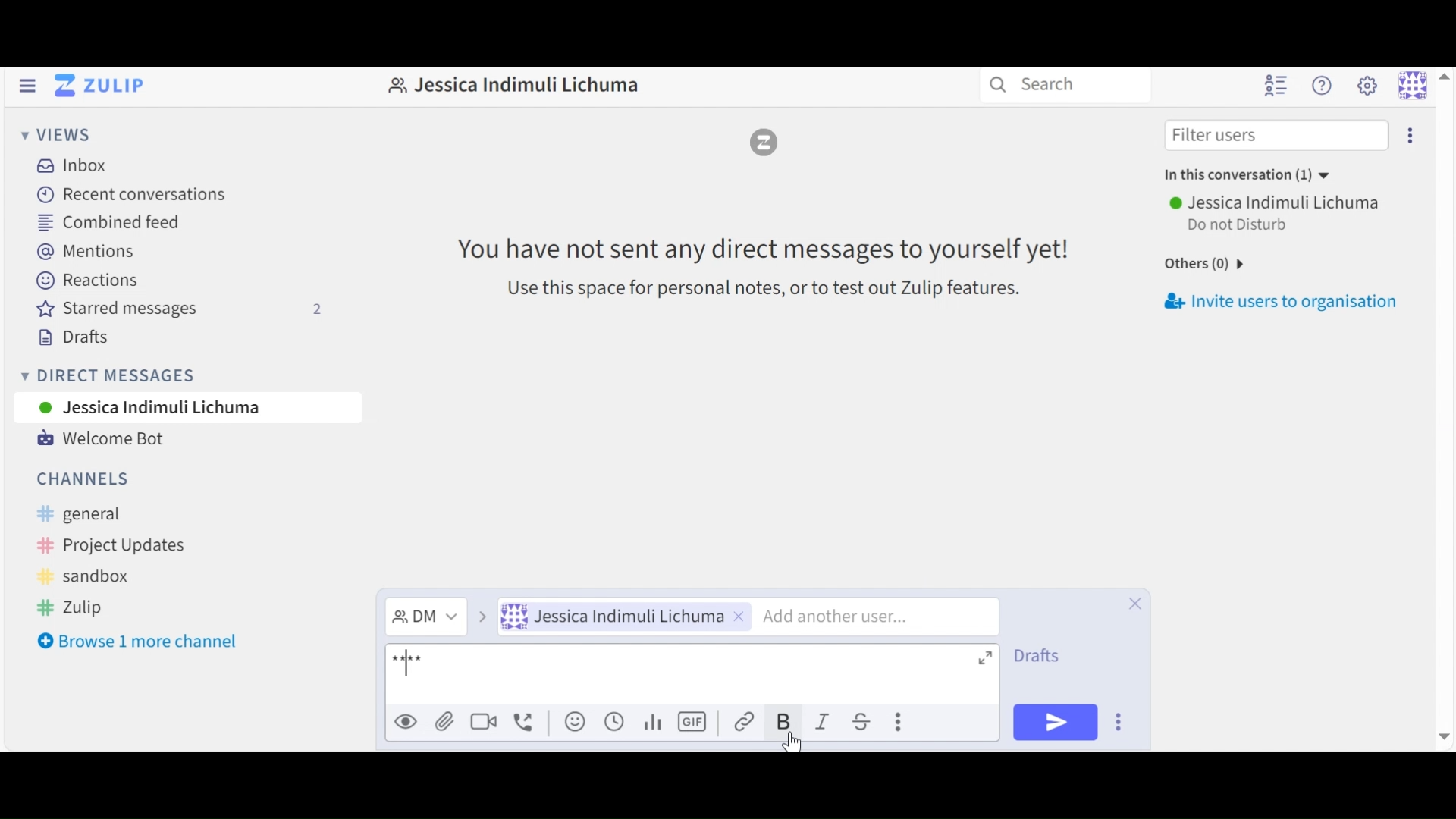 Image resolution: width=1456 pixels, height=819 pixels. Describe the element at coordinates (86, 253) in the screenshot. I see `Mentions` at that location.